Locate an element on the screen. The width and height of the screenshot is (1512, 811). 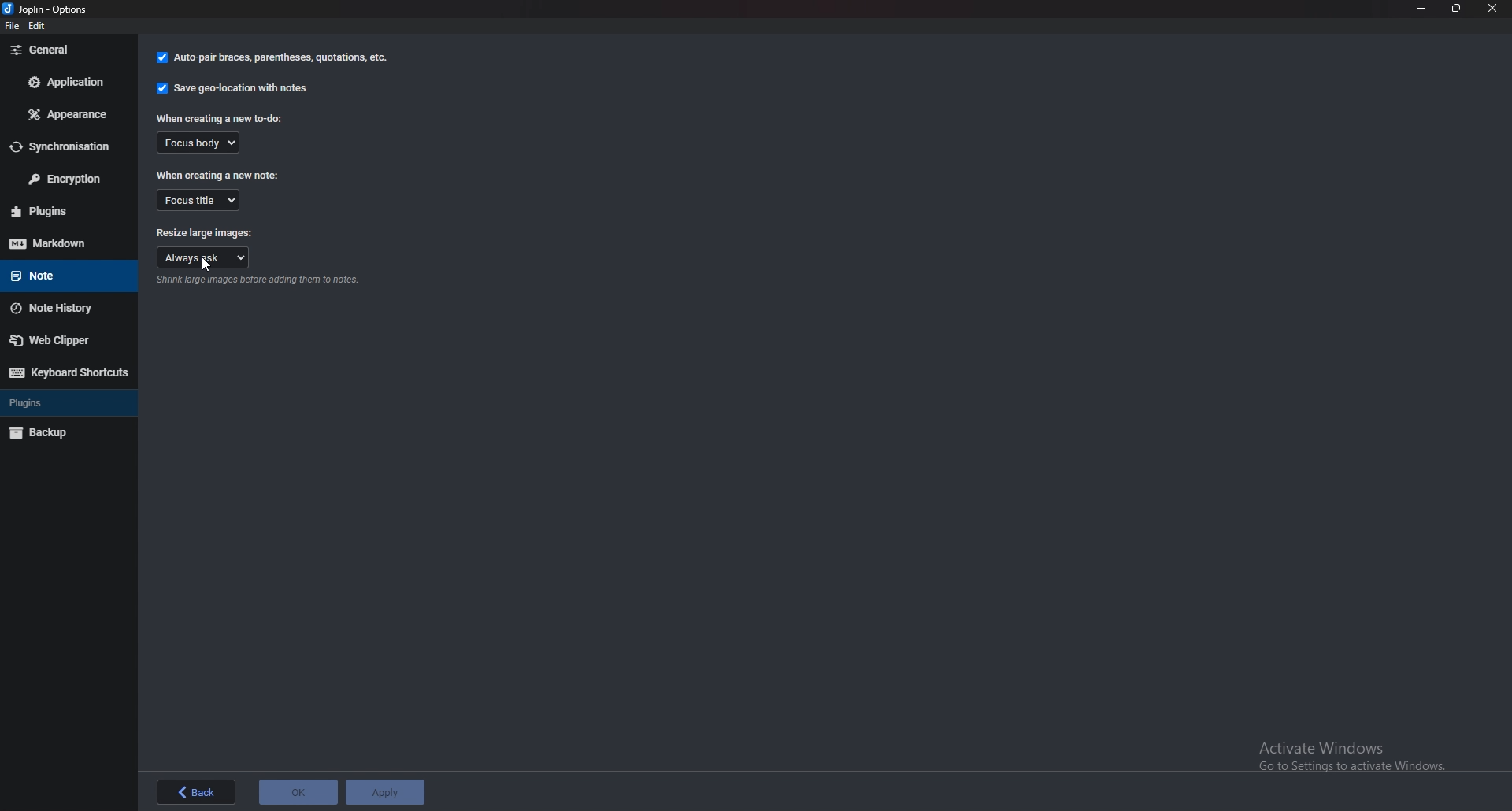
Application is located at coordinates (66, 82).